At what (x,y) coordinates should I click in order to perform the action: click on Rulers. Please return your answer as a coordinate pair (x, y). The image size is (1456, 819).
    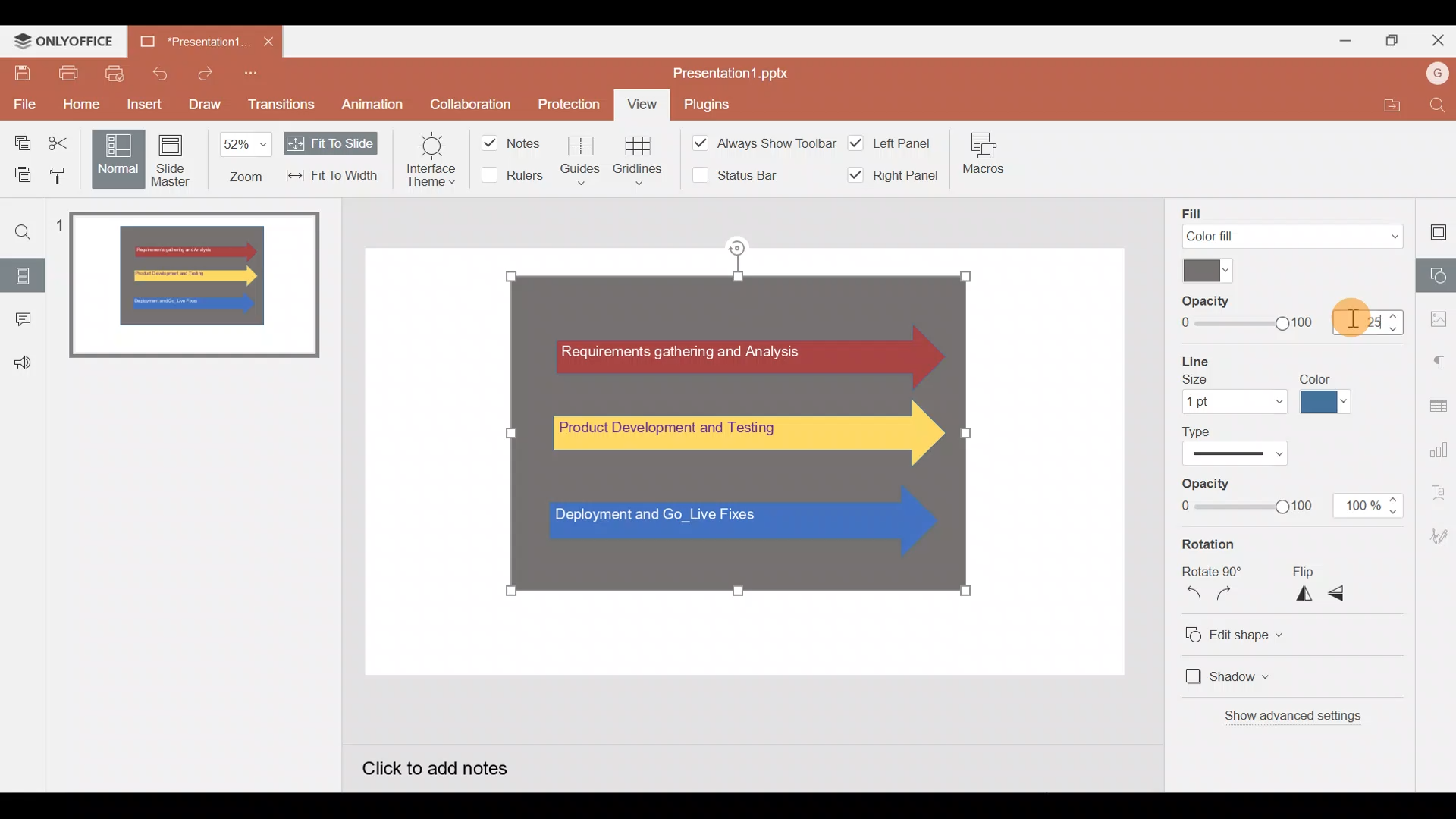
    Looking at the image, I should click on (511, 177).